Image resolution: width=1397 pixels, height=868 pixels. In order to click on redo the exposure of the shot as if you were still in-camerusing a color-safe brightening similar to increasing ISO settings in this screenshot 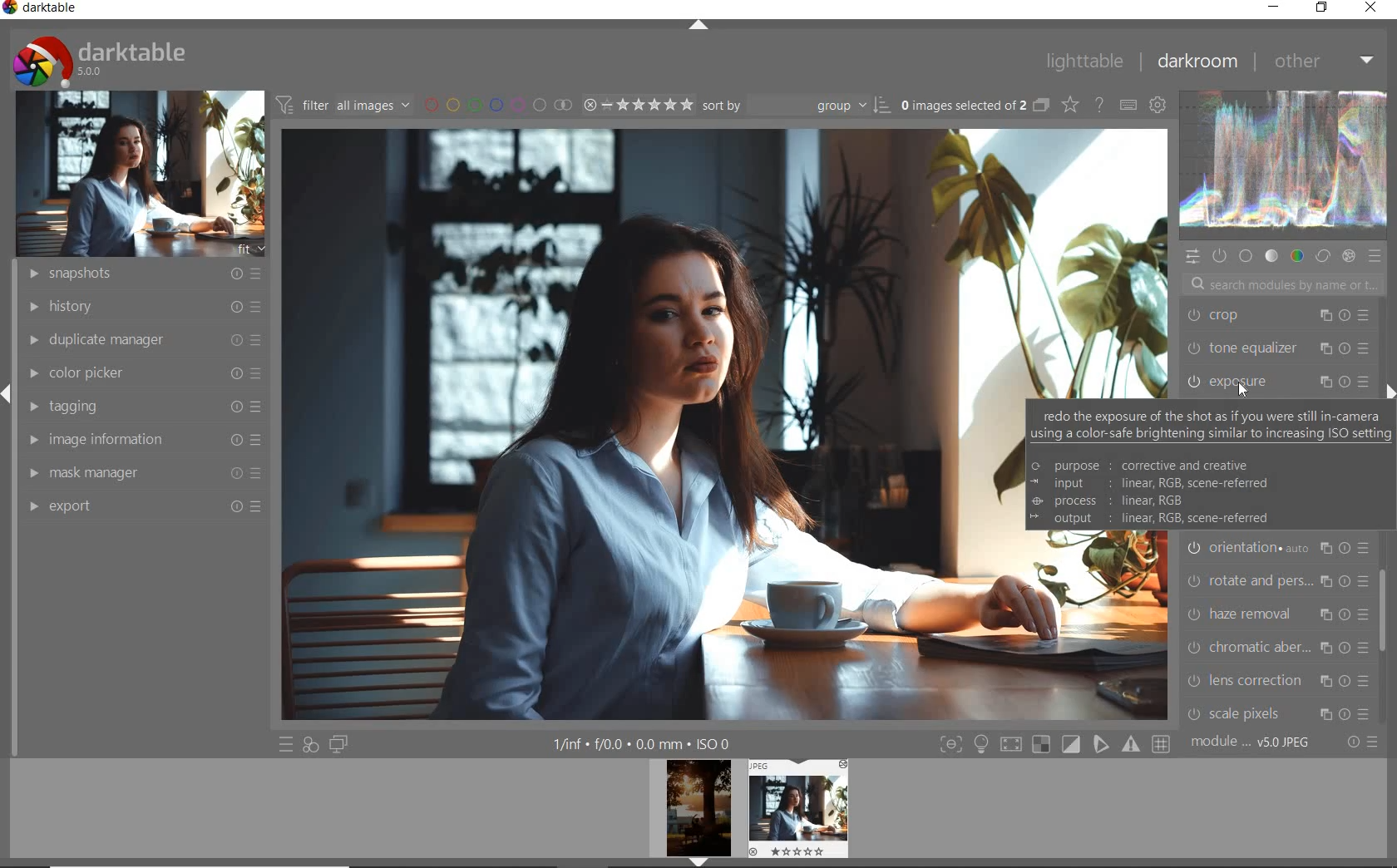, I will do `click(1212, 423)`.